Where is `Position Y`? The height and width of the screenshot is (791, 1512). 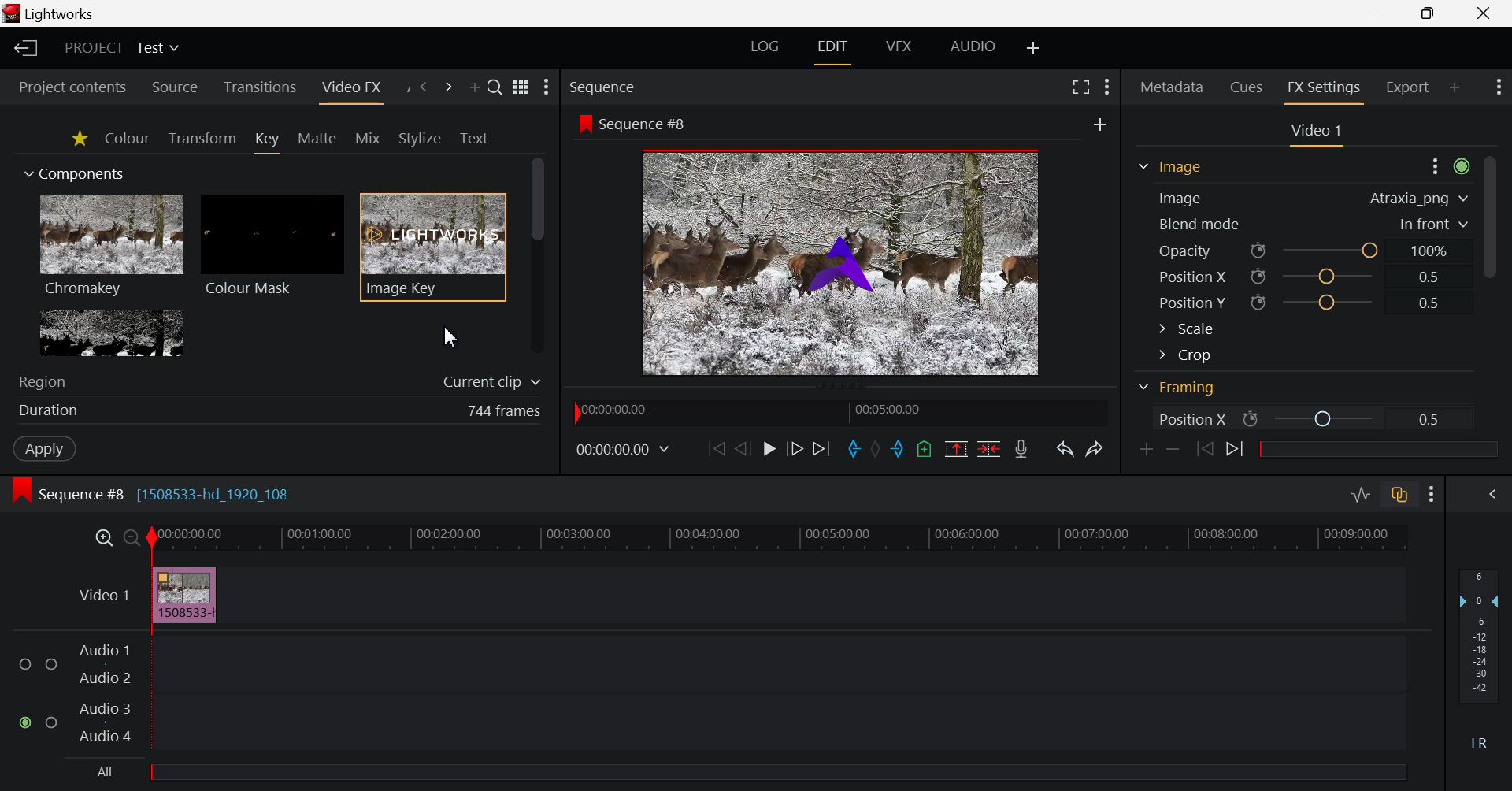
Position Y is located at coordinates (1330, 303).